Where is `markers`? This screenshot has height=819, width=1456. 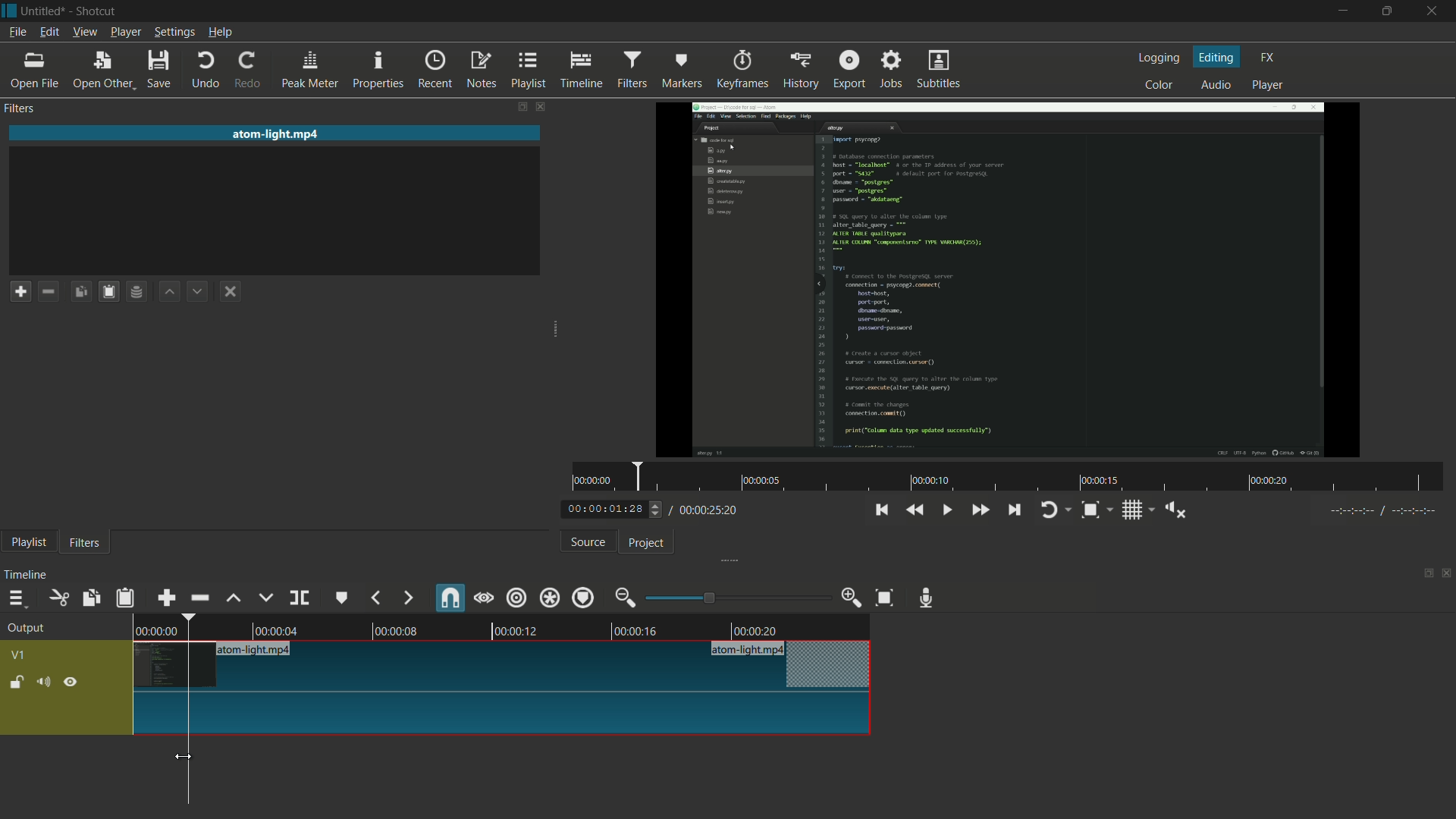 markers is located at coordinates (682, 71).